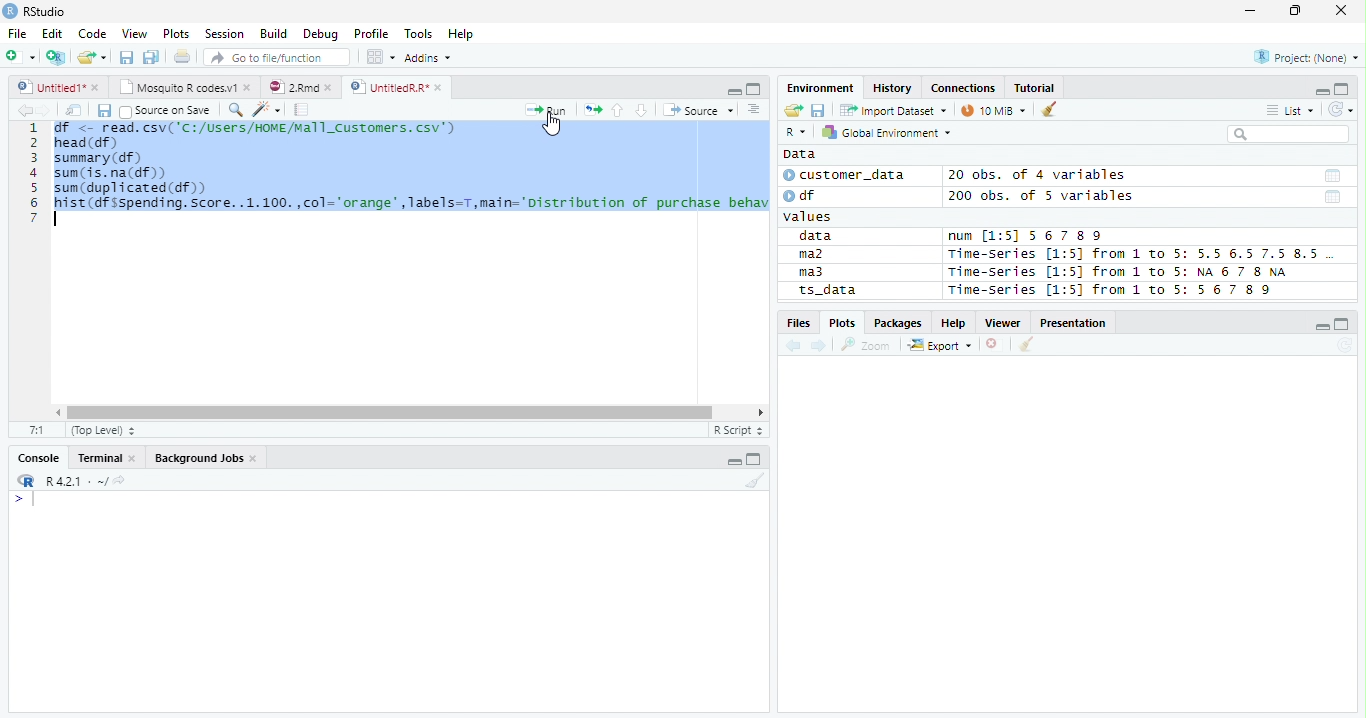 This screenshot has height=718, width=1366. Describe the element at coordinates (407, 414) in the screenshot. I see `Scroll` at that location.